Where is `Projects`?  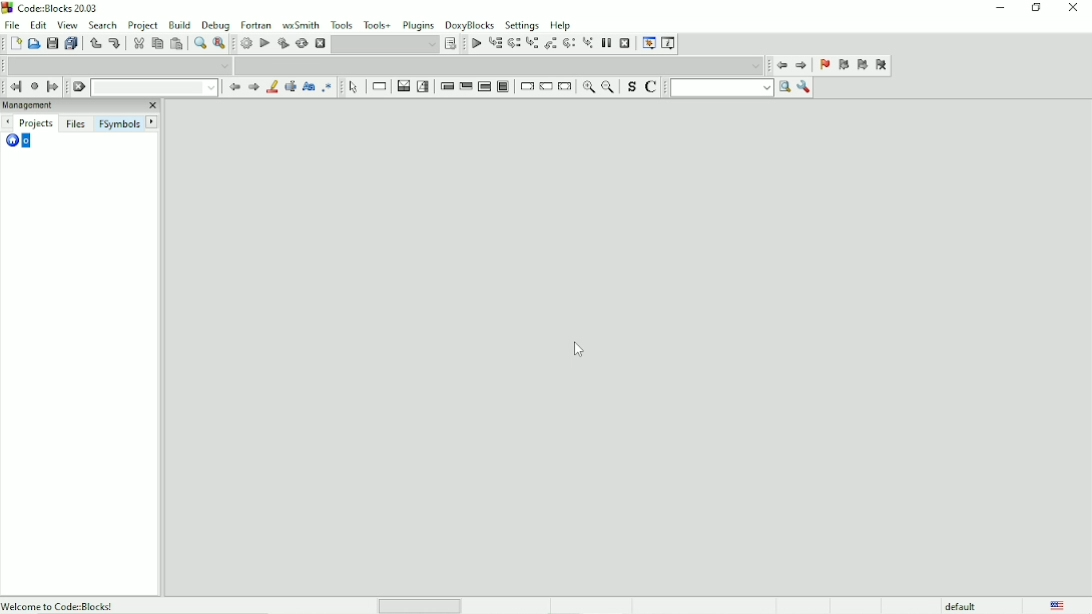
Projects is located at coordinates (38, 123).